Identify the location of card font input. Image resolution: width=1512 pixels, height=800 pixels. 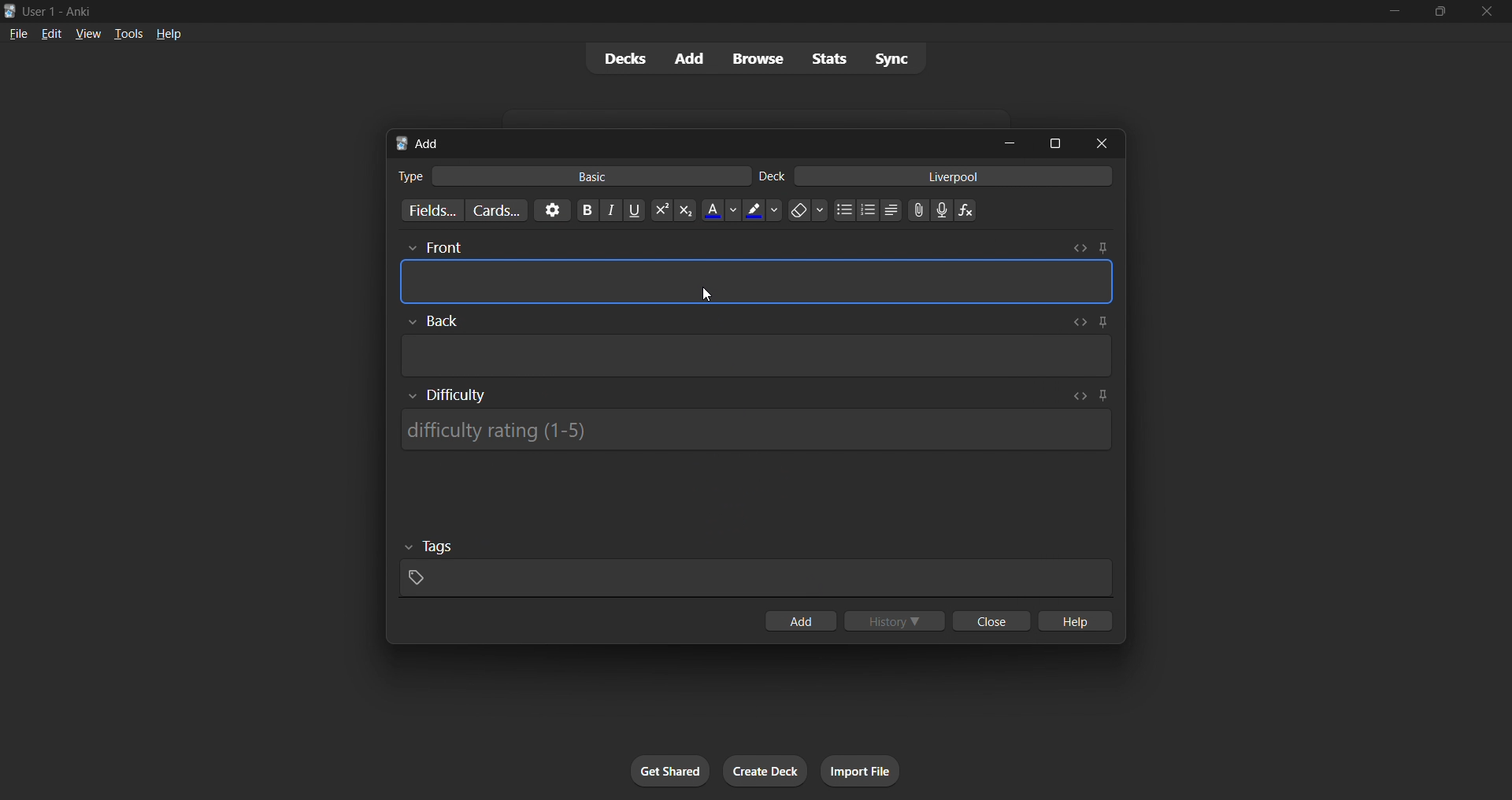
(757, 282).